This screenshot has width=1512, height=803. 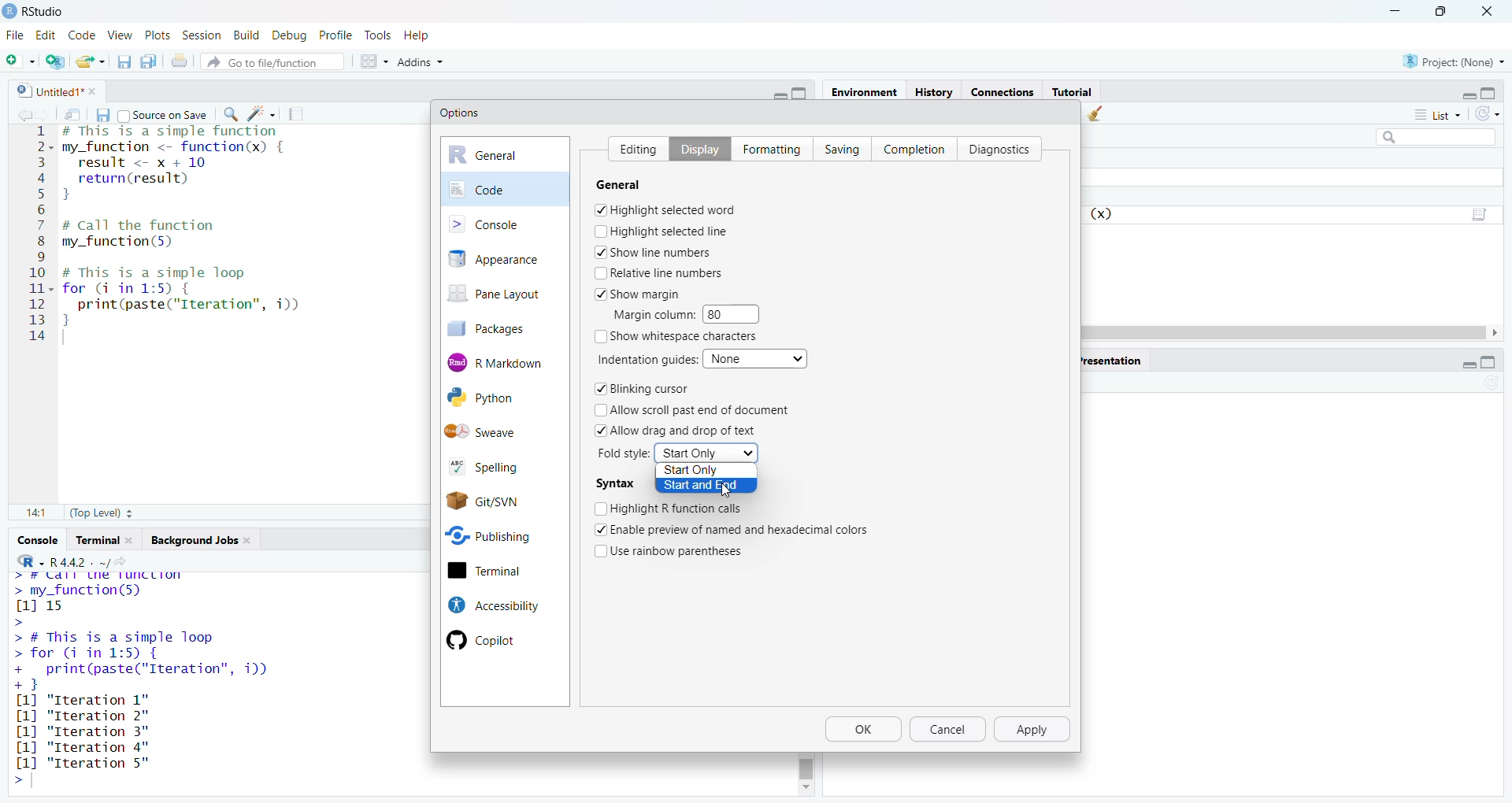 What do you see at coordinates (679, 337) in the screenshot?
I see `show whitespace characters` at bounding box center [679, 337].